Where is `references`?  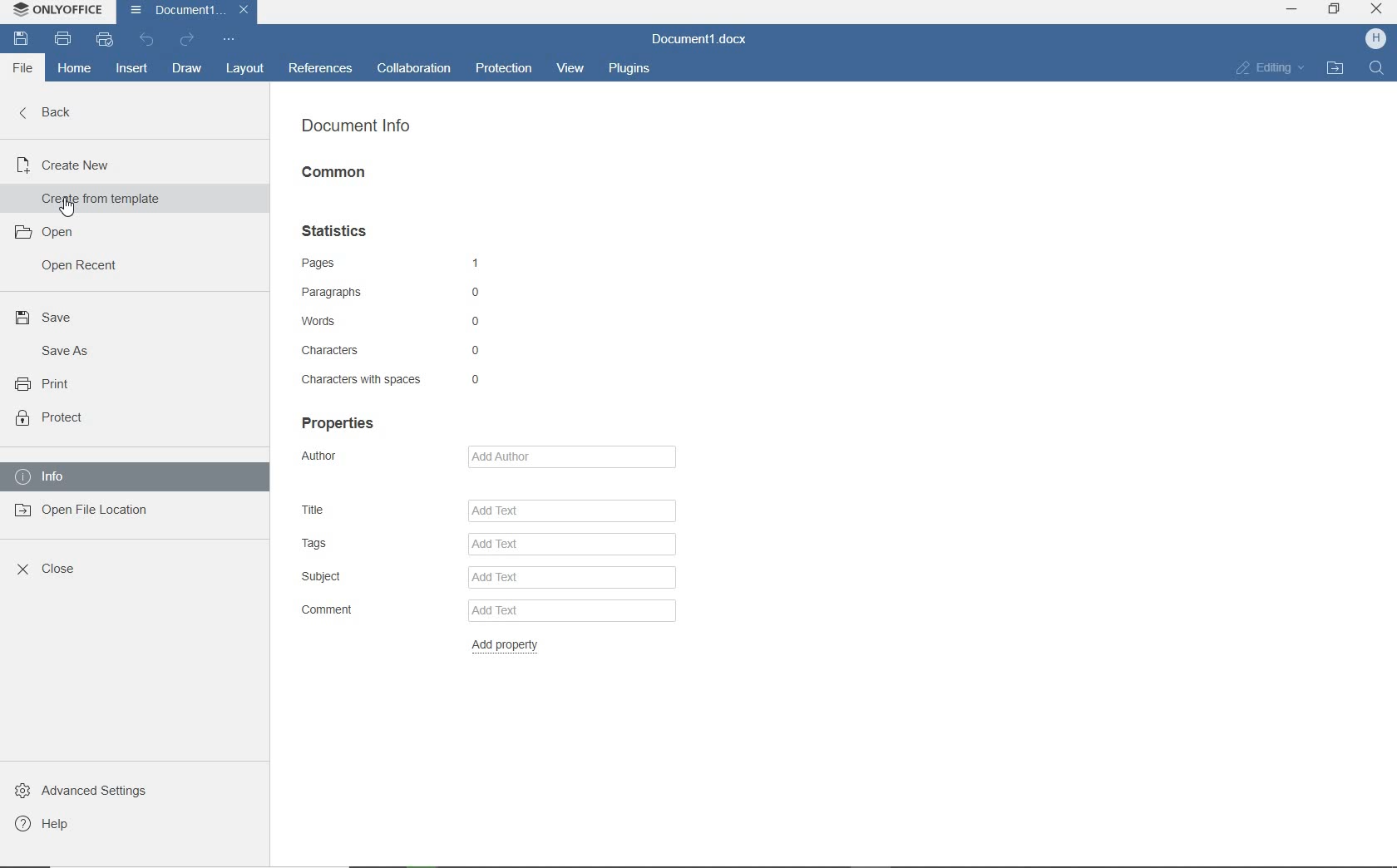
references is located at coordinates (323, 68).